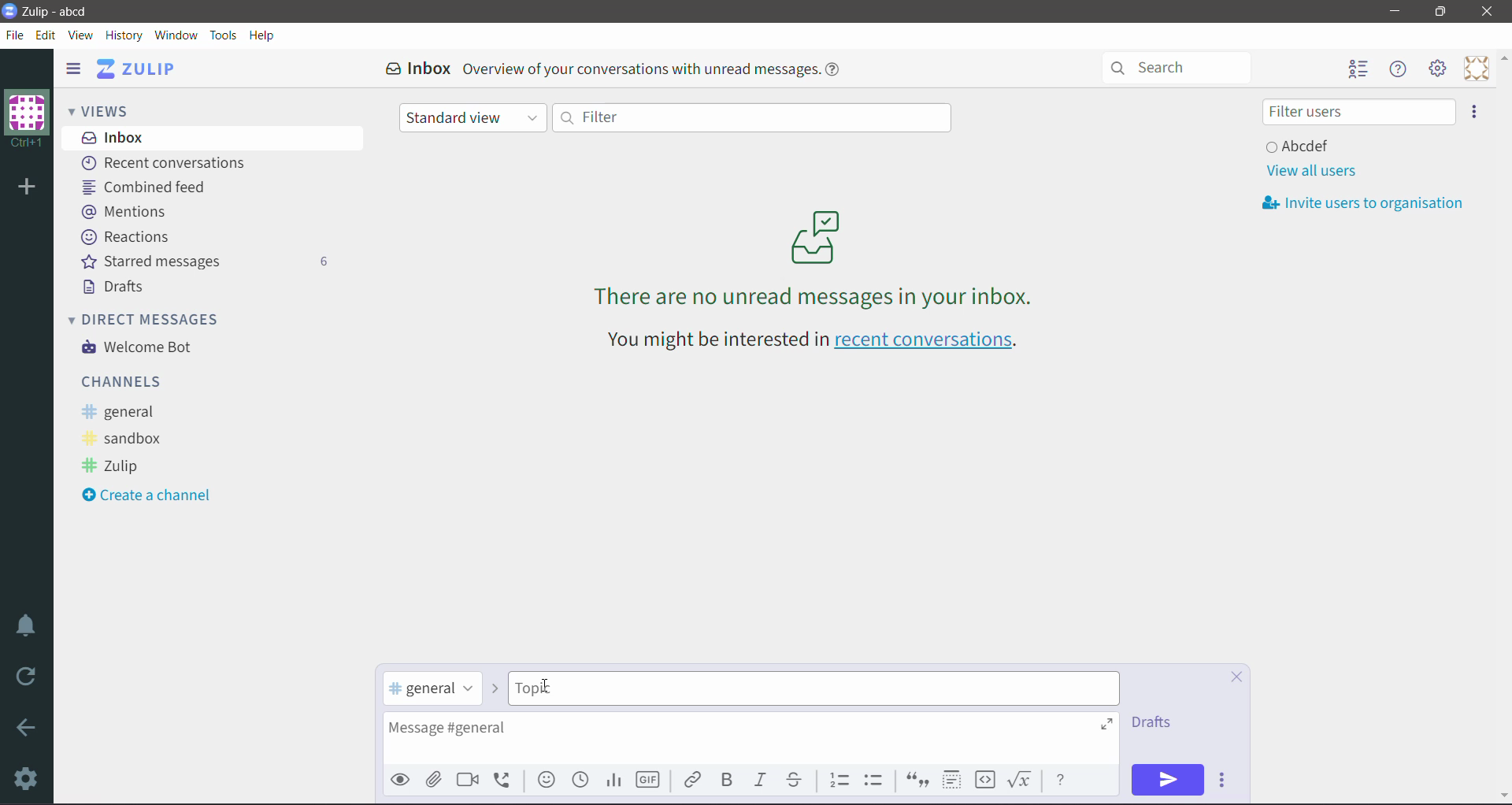 This screenshot has width=1512, height=805. Describe the element at coordinates (466, 780) in the screenshot. I see `Add video call` at that location.